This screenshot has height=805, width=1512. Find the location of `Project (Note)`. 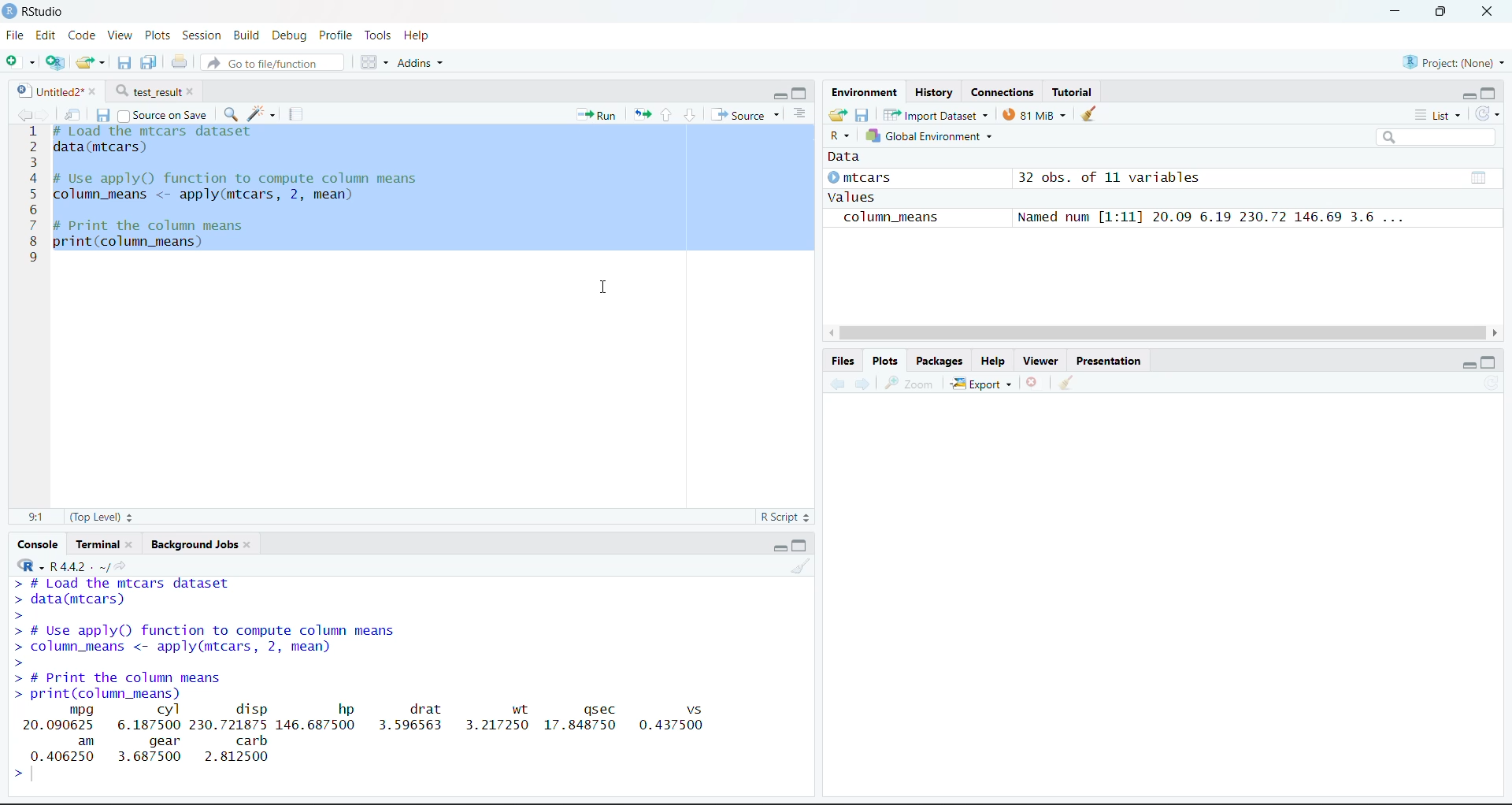

Project (Note) is located at coordinates (1451, 61).